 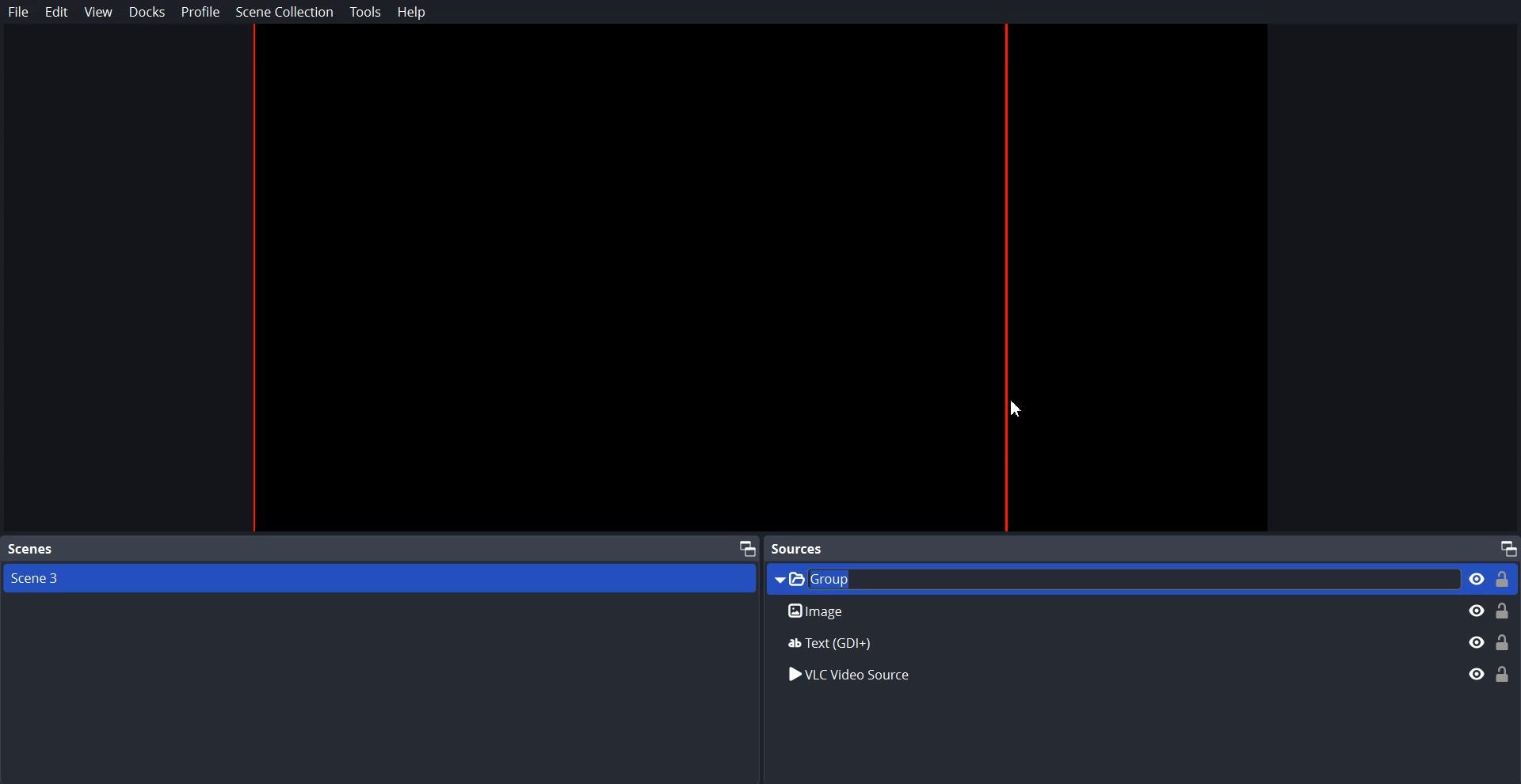 What do you see at coordinates (366, 12) in the screenshot?
I see `Tools` at bounding box center [366, 12].